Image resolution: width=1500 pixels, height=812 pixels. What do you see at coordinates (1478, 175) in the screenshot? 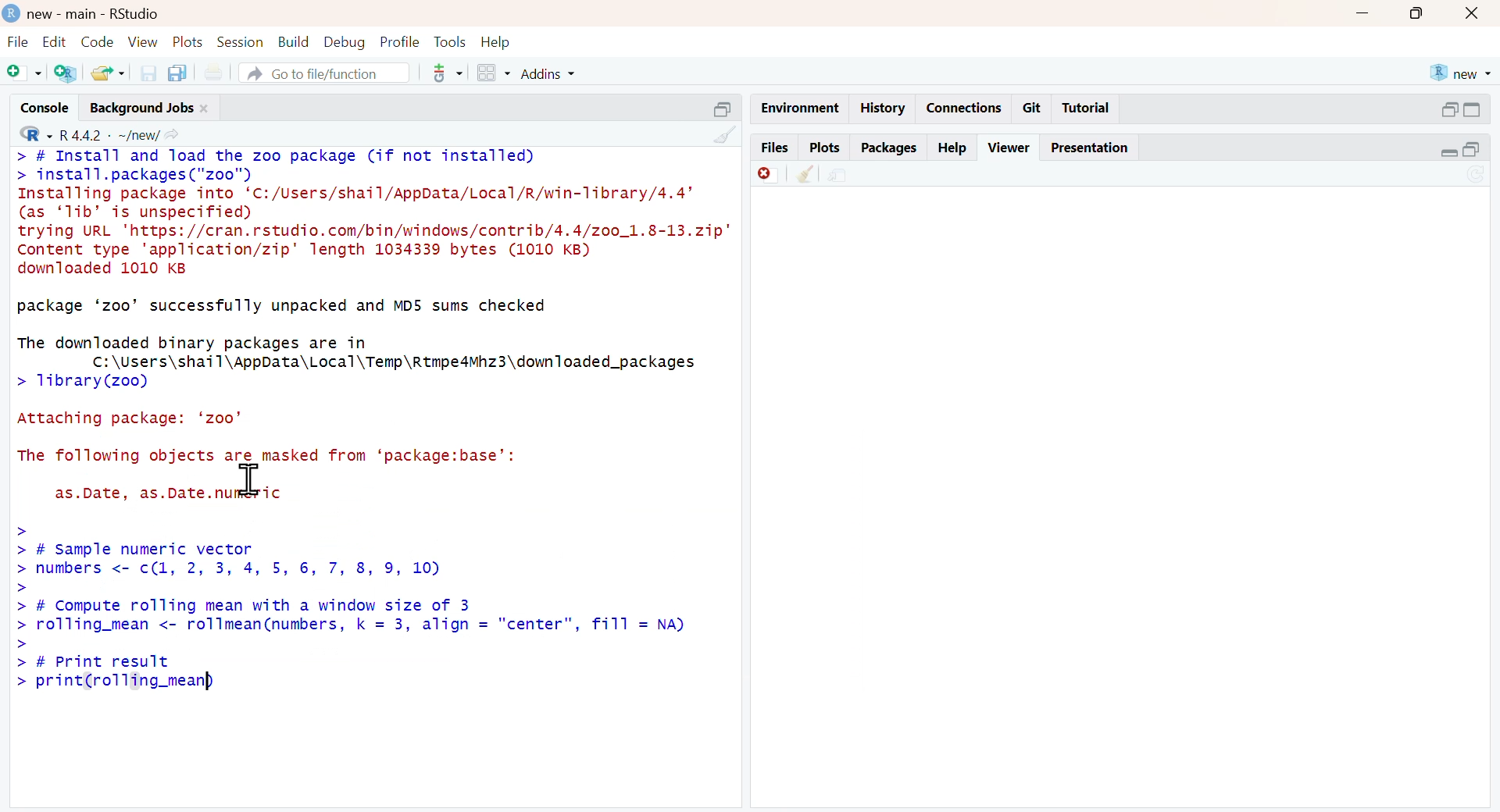
I see `Sync` at bounding box center [1478, 175].